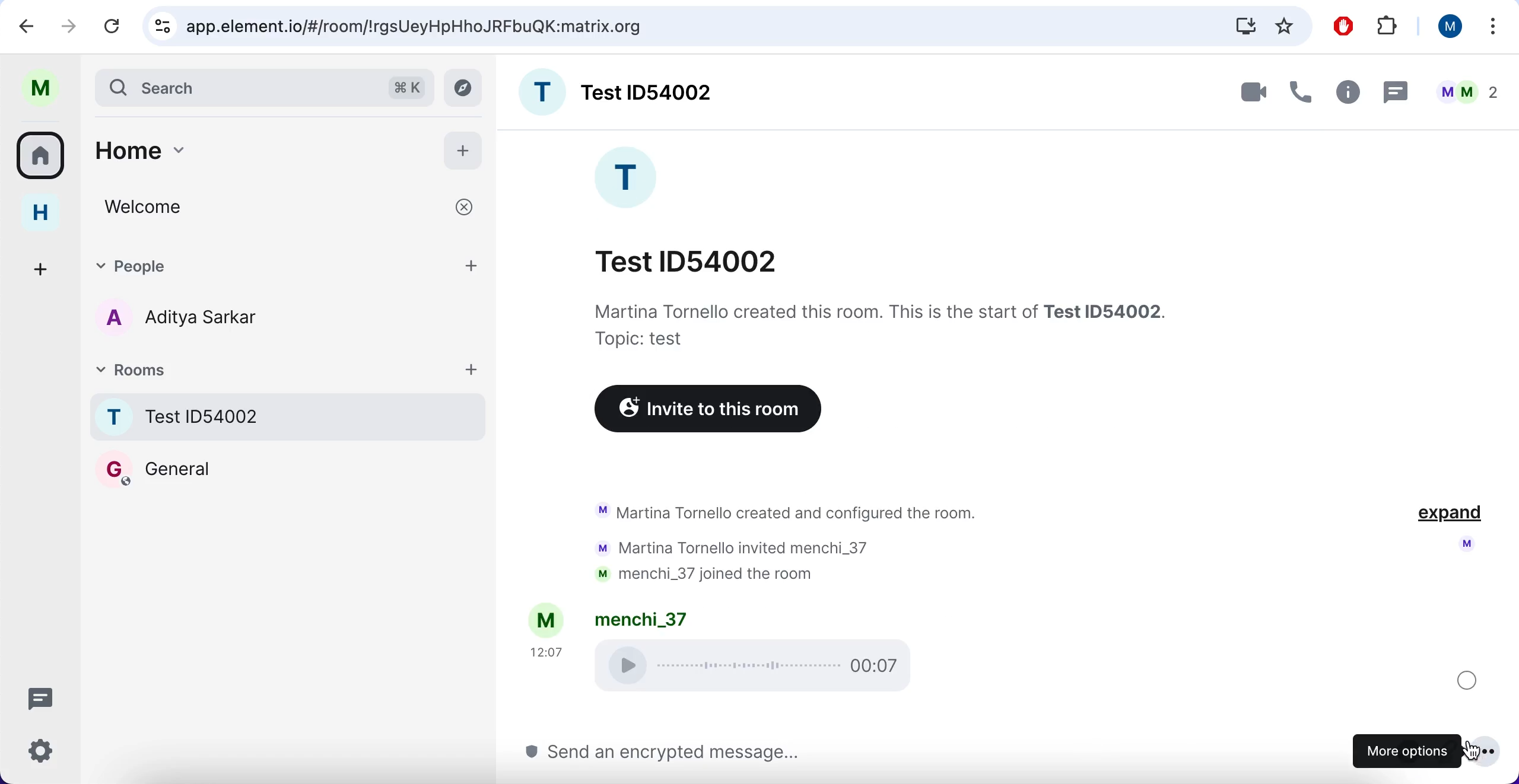 This screenshot has height=784, width=1519. What do you see at coordinates (1251, 94) in the screenshot?
I see `videocall` at bounding box center [1251, 94].